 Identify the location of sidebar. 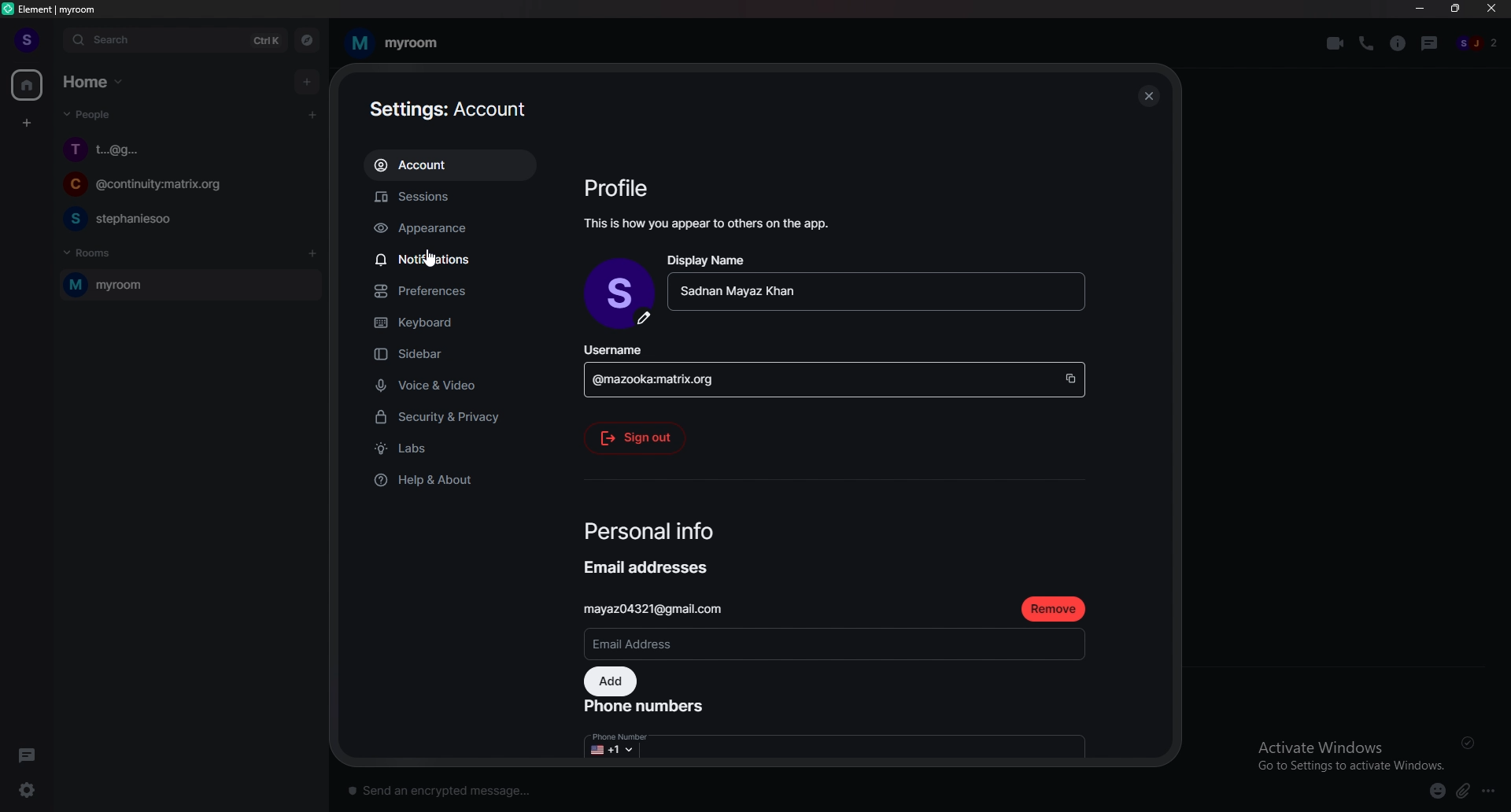
(456, 355).